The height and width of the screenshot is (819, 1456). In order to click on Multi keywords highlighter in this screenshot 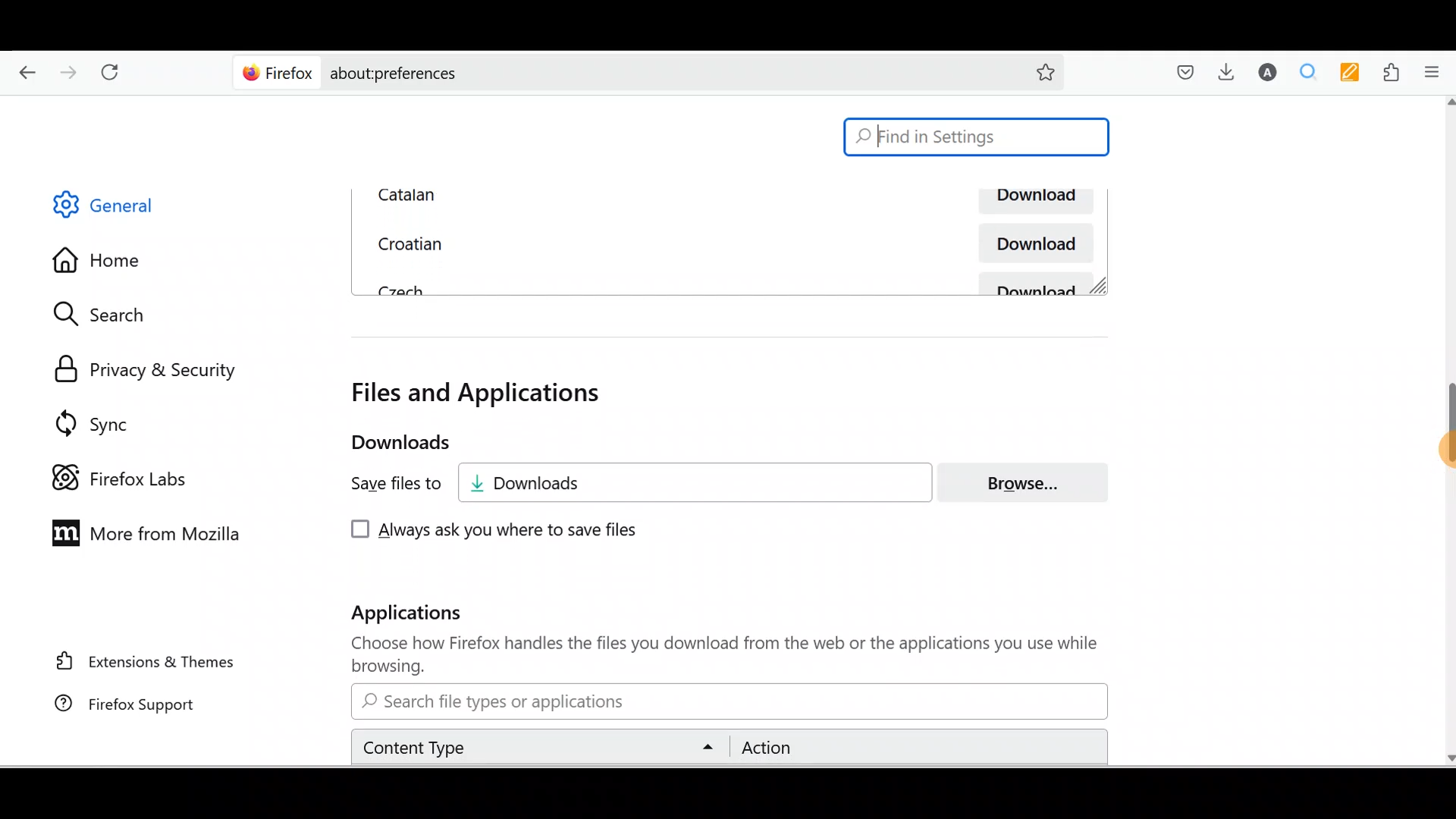, I will do `click(1354, 73)`.